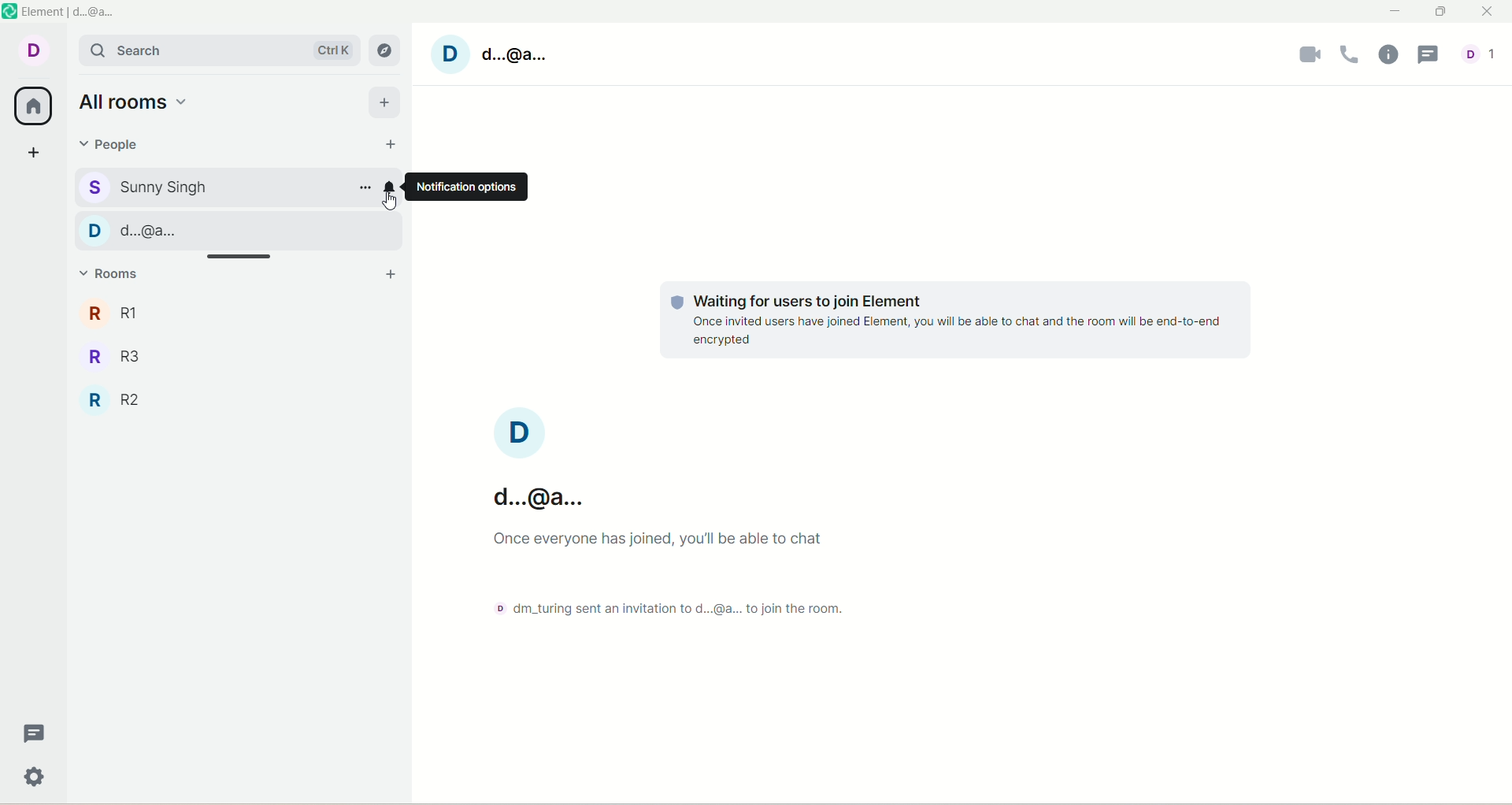 This screenshot has width=1512, height=805. What do you see at coordinates (1386, 57) in the screenshot?
I see `room info` at bounding box center [1386, 57].